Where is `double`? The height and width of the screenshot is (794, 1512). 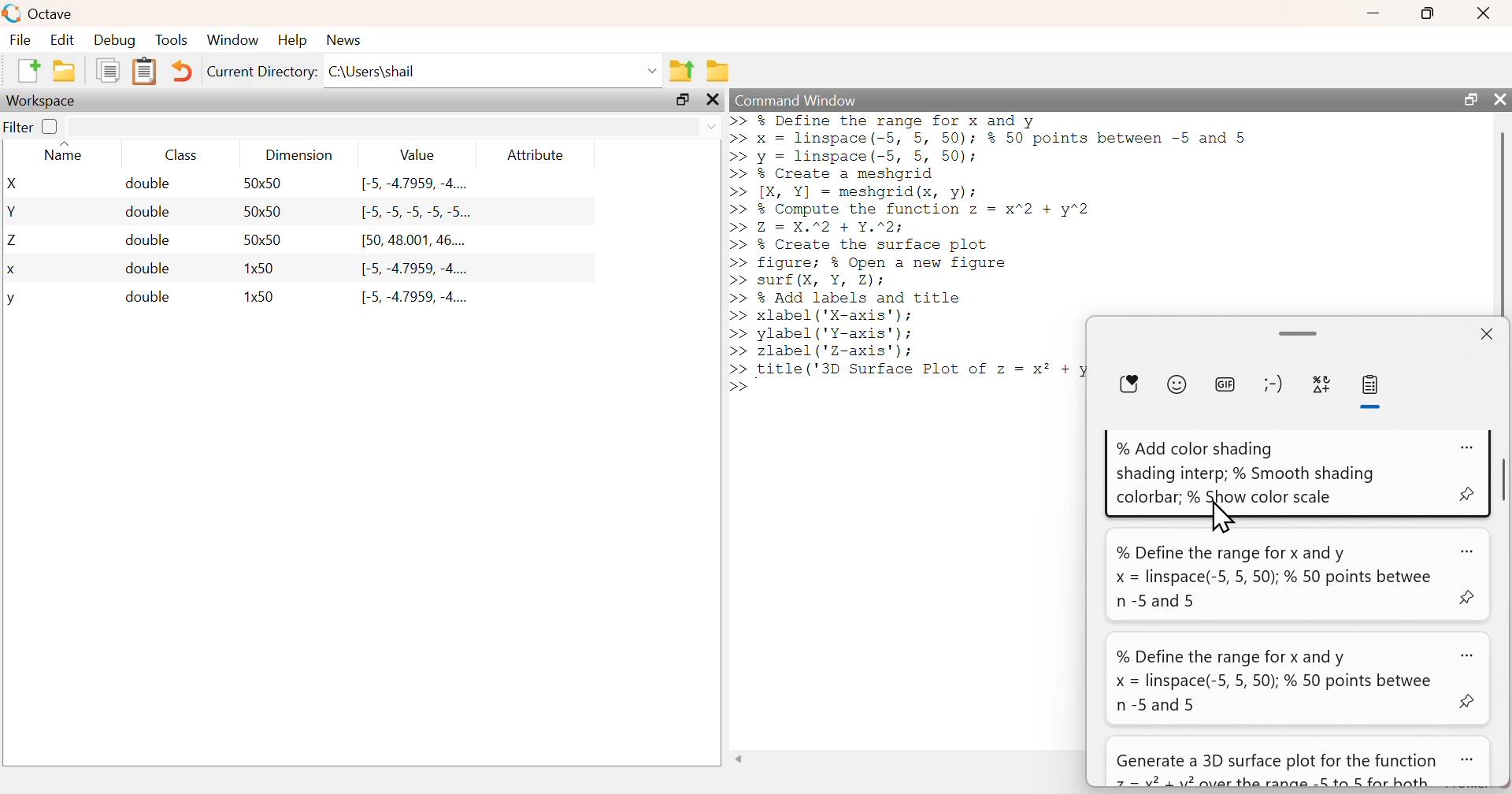 double is located at coordinates (149, 184).